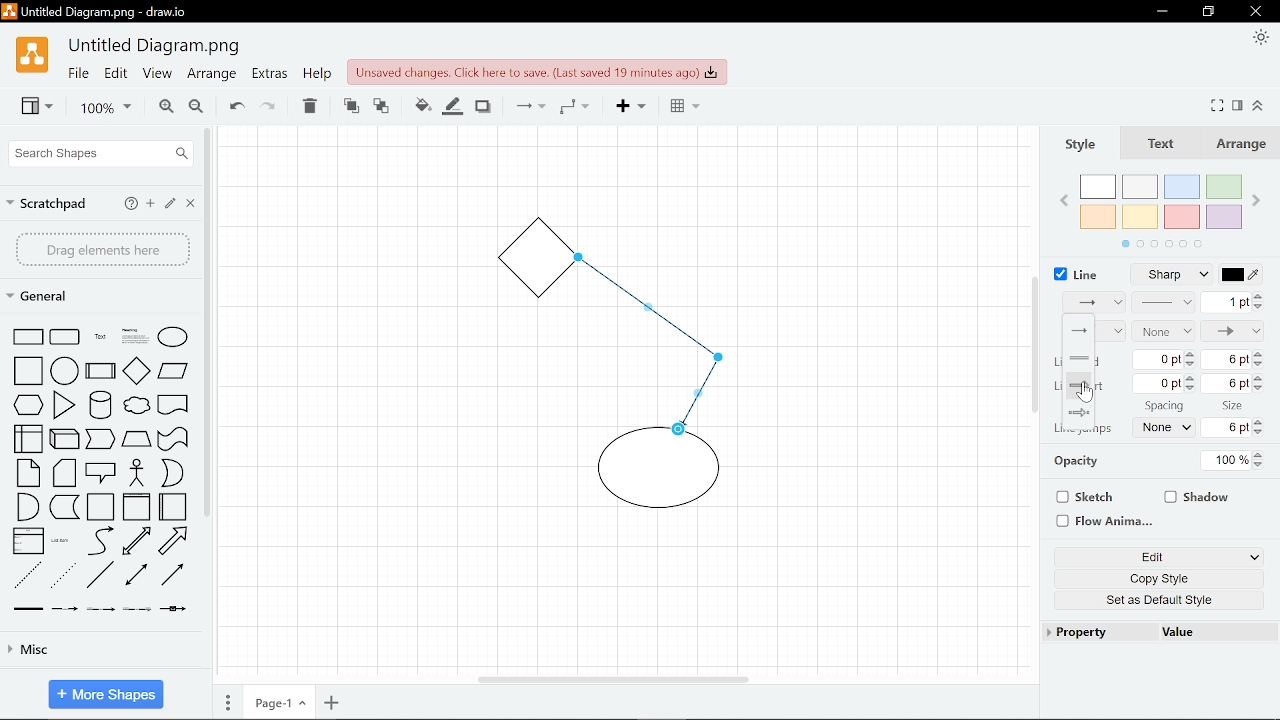 Image resolution: width=1280 pixels, height=720 pixels. I want to click on cursor, so click(1085, 394).